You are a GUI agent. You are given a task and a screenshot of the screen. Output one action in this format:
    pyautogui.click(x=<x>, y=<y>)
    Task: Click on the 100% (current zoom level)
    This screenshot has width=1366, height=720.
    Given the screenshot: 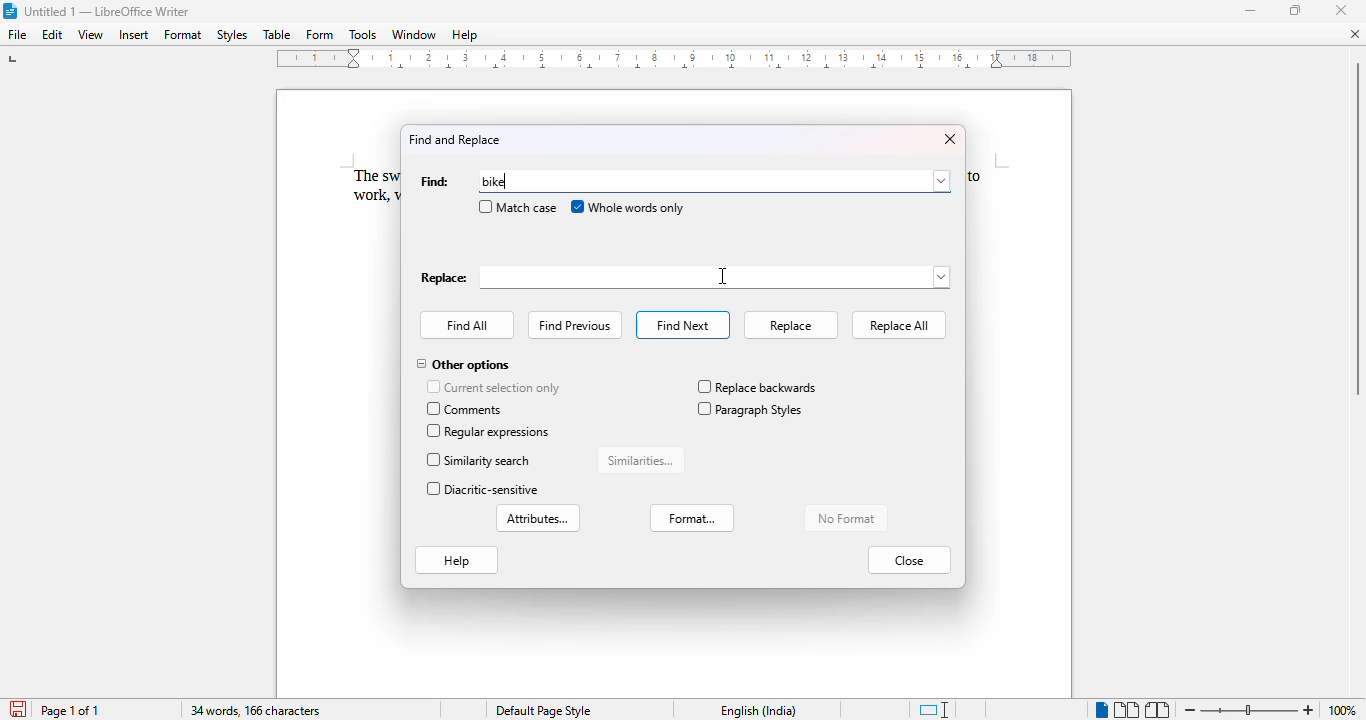 What is the action you would take?
    pyautogui.click(x=1345, y=710)
    